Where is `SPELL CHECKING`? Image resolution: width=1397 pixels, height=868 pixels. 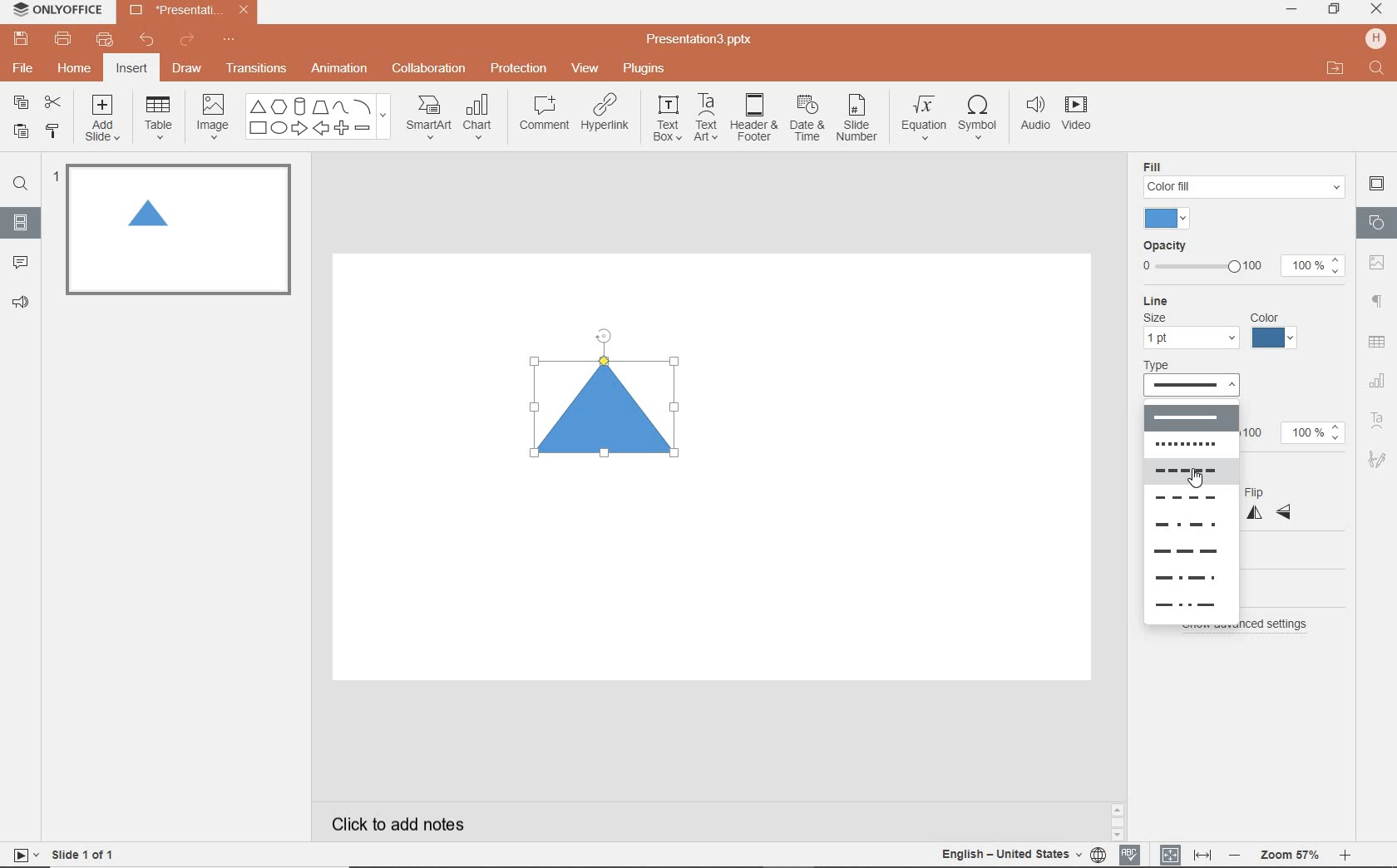 SPELL CHECKING is located at coordinates (1134, 852).